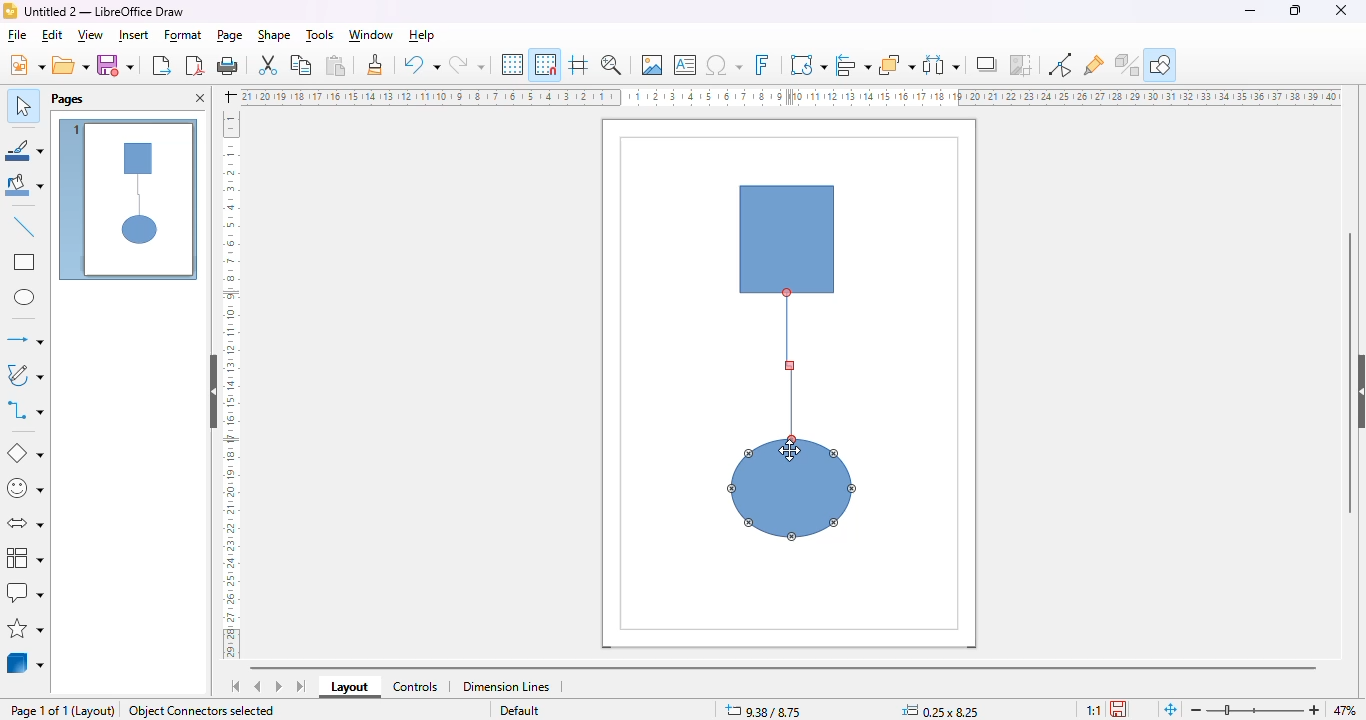 The image size is (1366, 720). Describe the element at coordinates (421, 35) in the screenshot. I see `help` at that location.